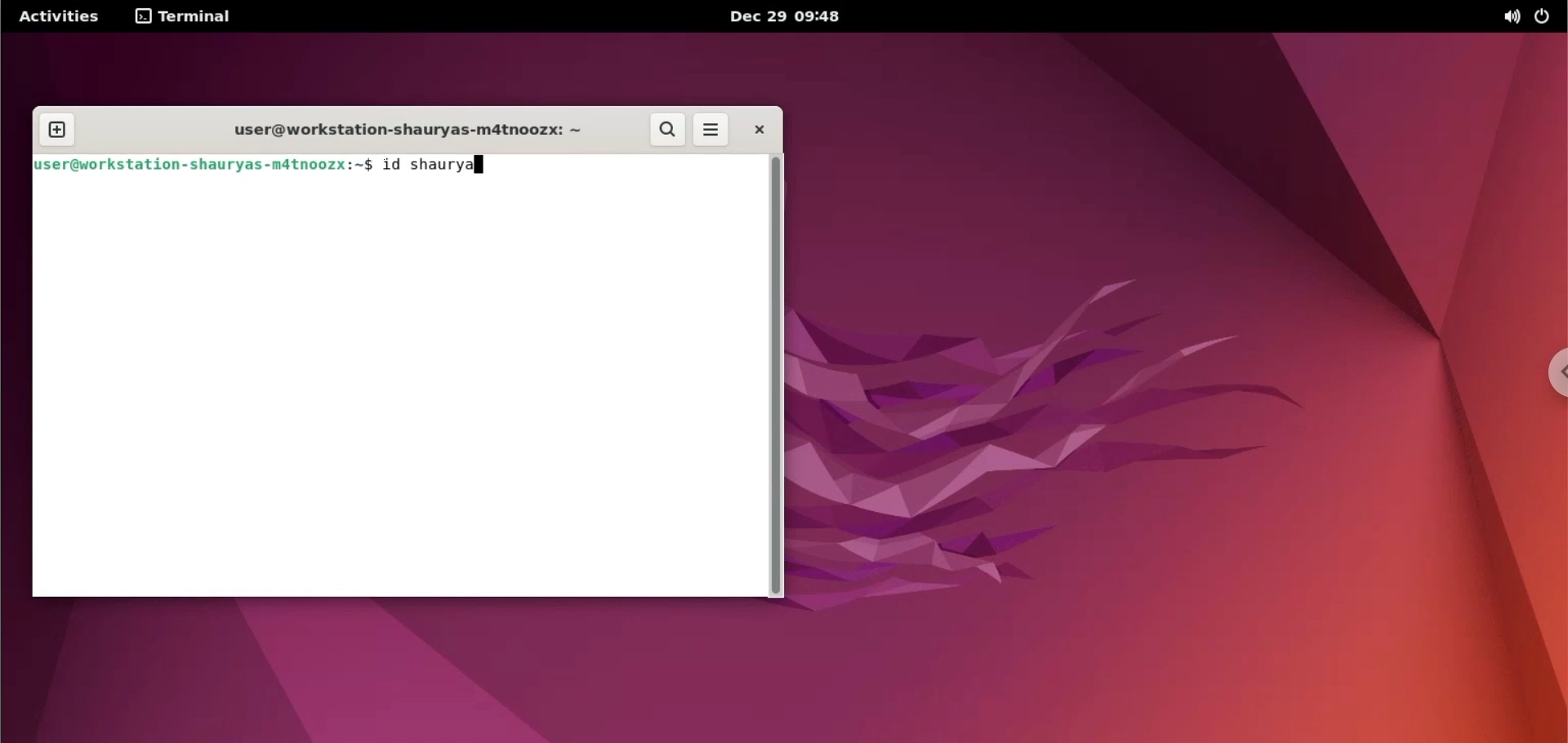  What do you see at coordinates (198, 18) in the screenshot?
I see `terminal` at bounding box center [198, 18].